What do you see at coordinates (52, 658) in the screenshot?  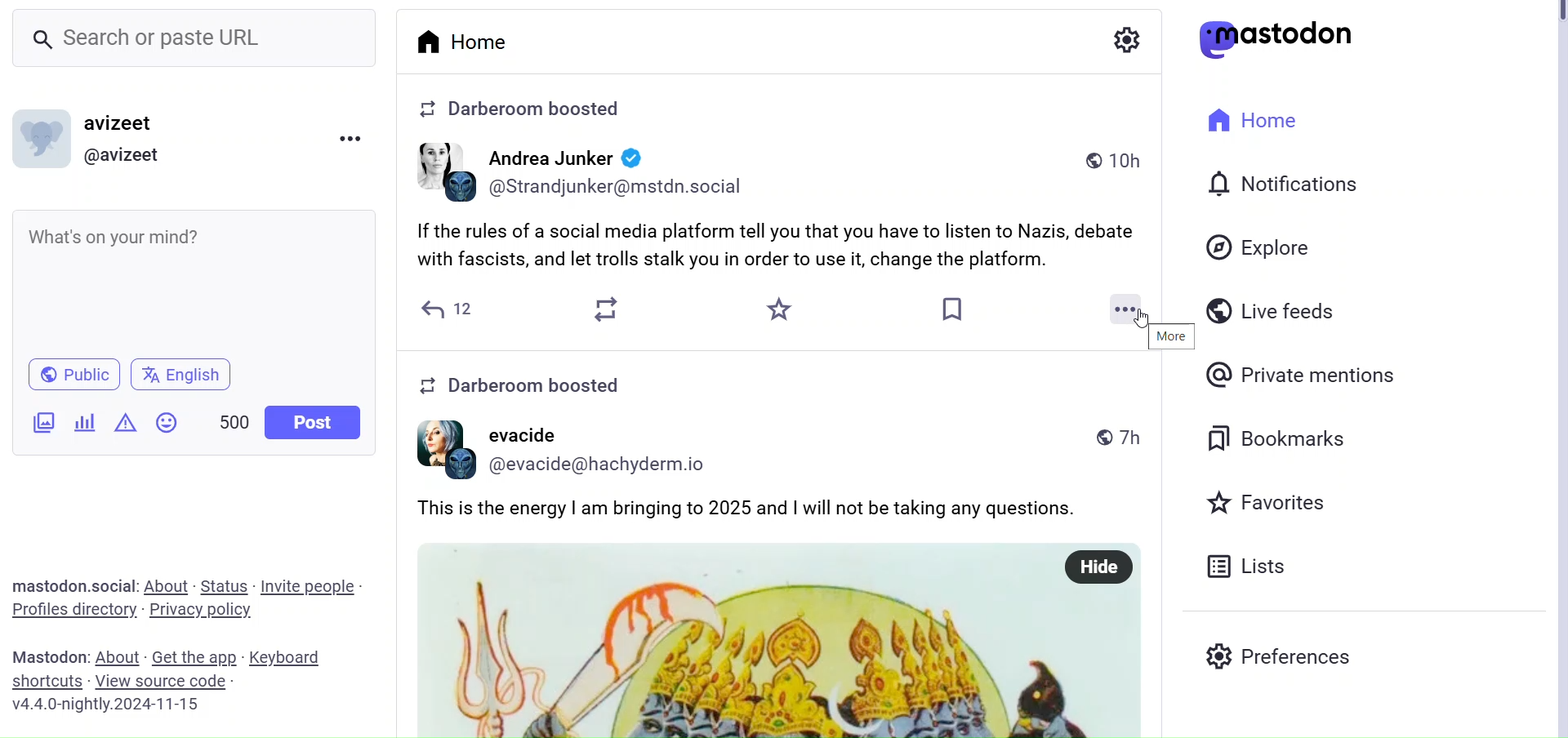 I see `Text` at bounding box center [52, 658].